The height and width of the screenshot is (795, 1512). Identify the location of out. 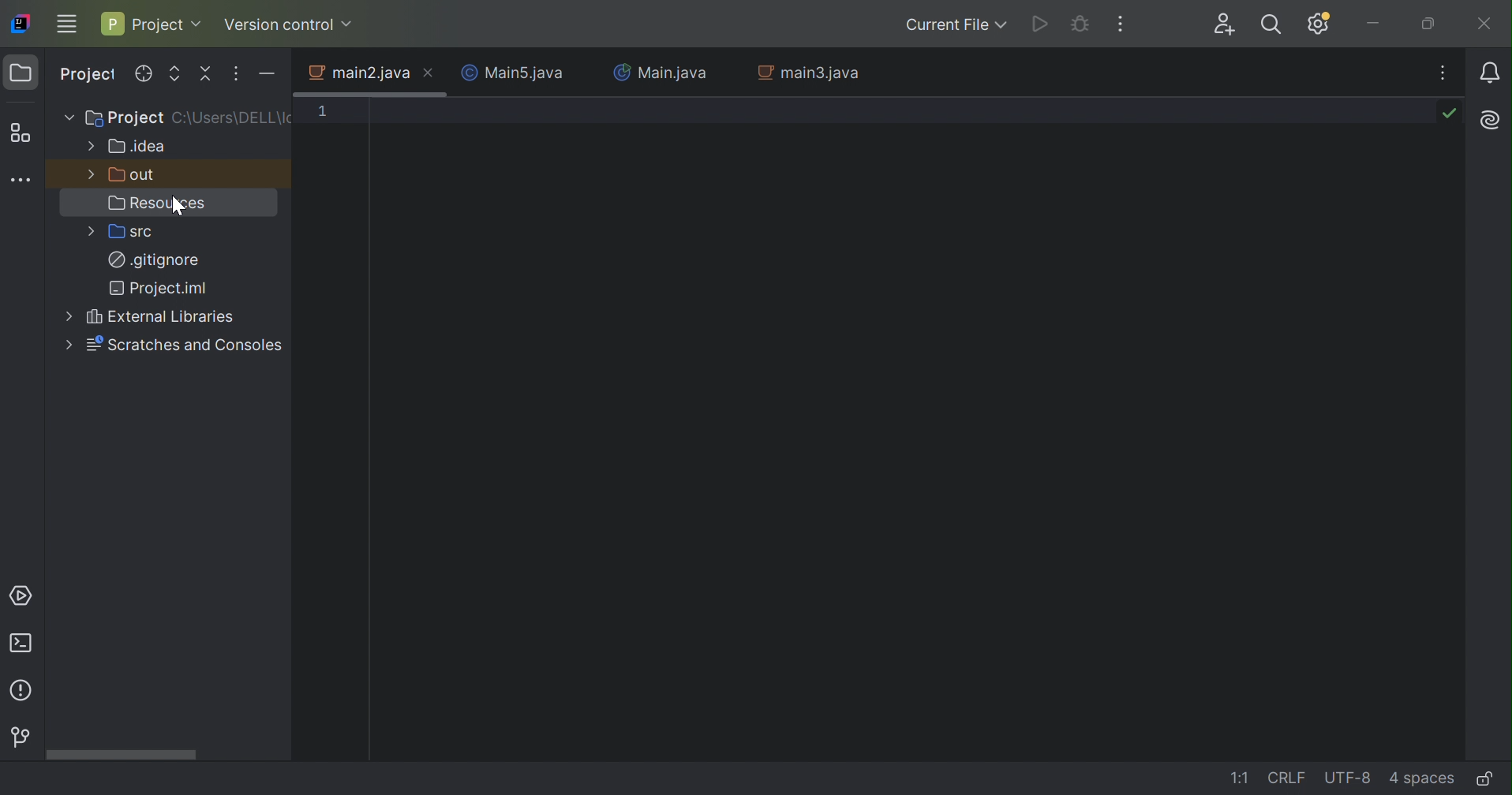
(135, 175).